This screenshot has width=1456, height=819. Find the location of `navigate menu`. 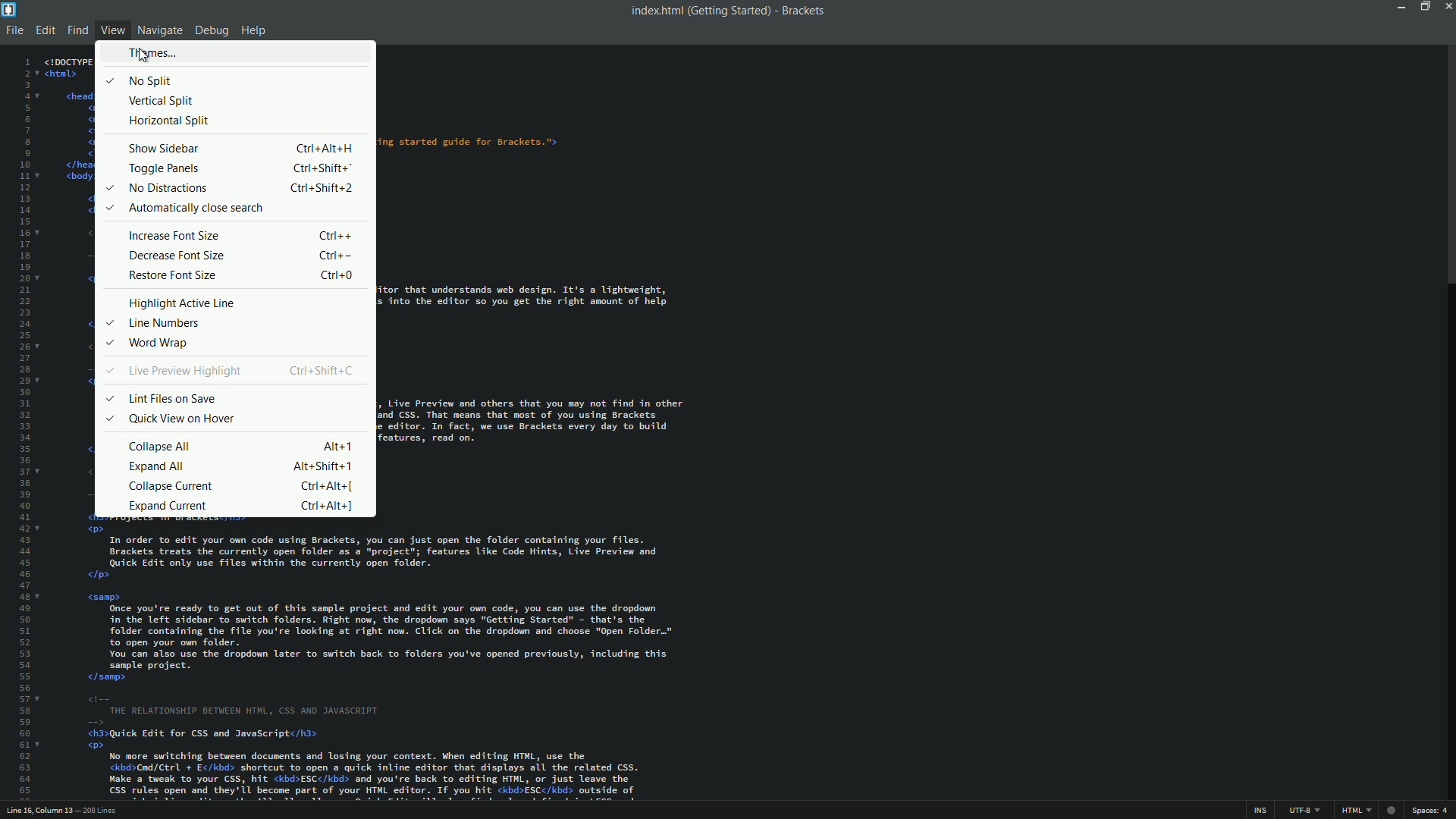

navigate menu is located at coordinates (158, 30).